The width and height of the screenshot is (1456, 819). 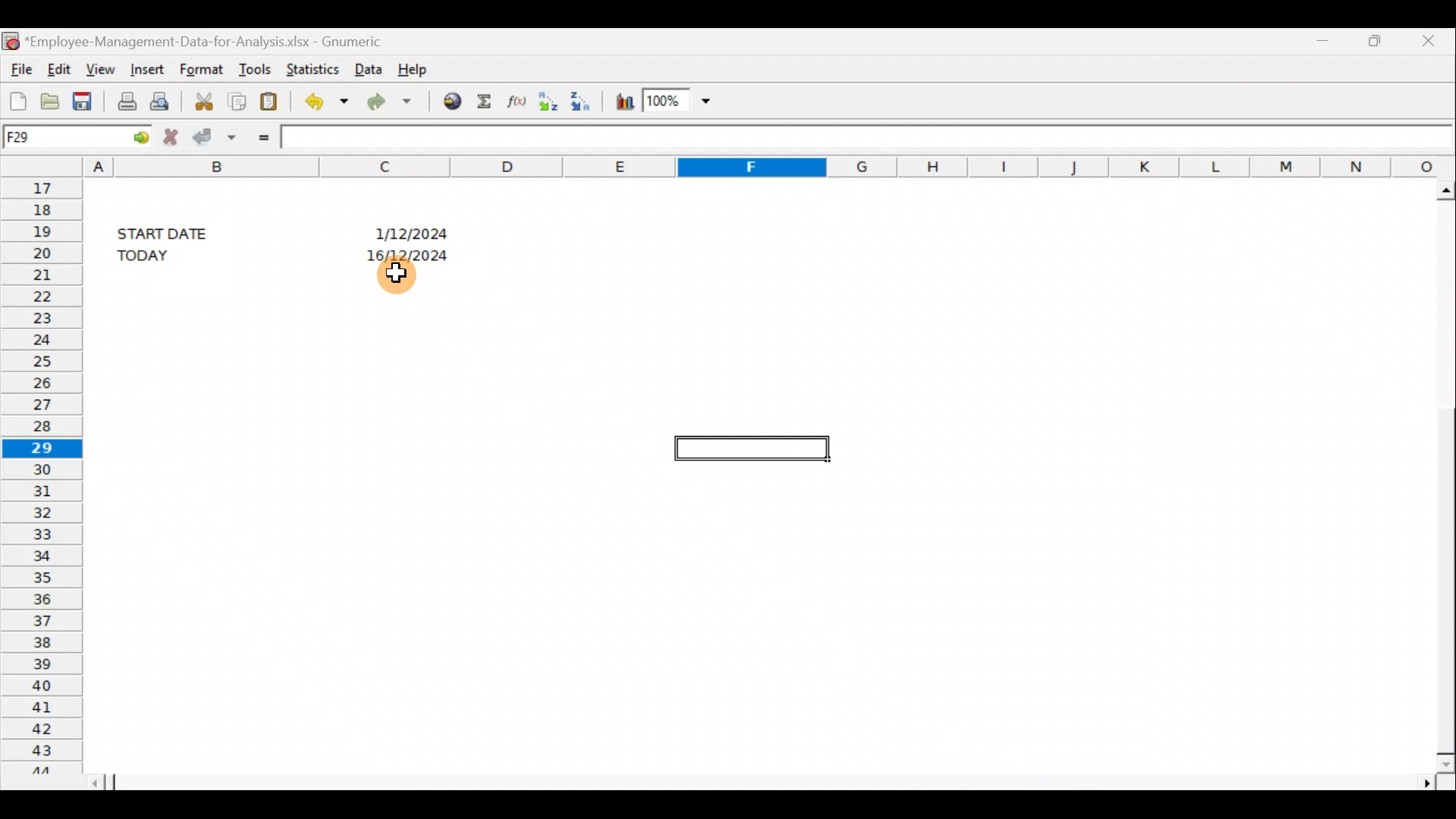 What do you see at coordinates (750, 539) in the screenshot?
I see `Cells` at bounding box center [750, 539].